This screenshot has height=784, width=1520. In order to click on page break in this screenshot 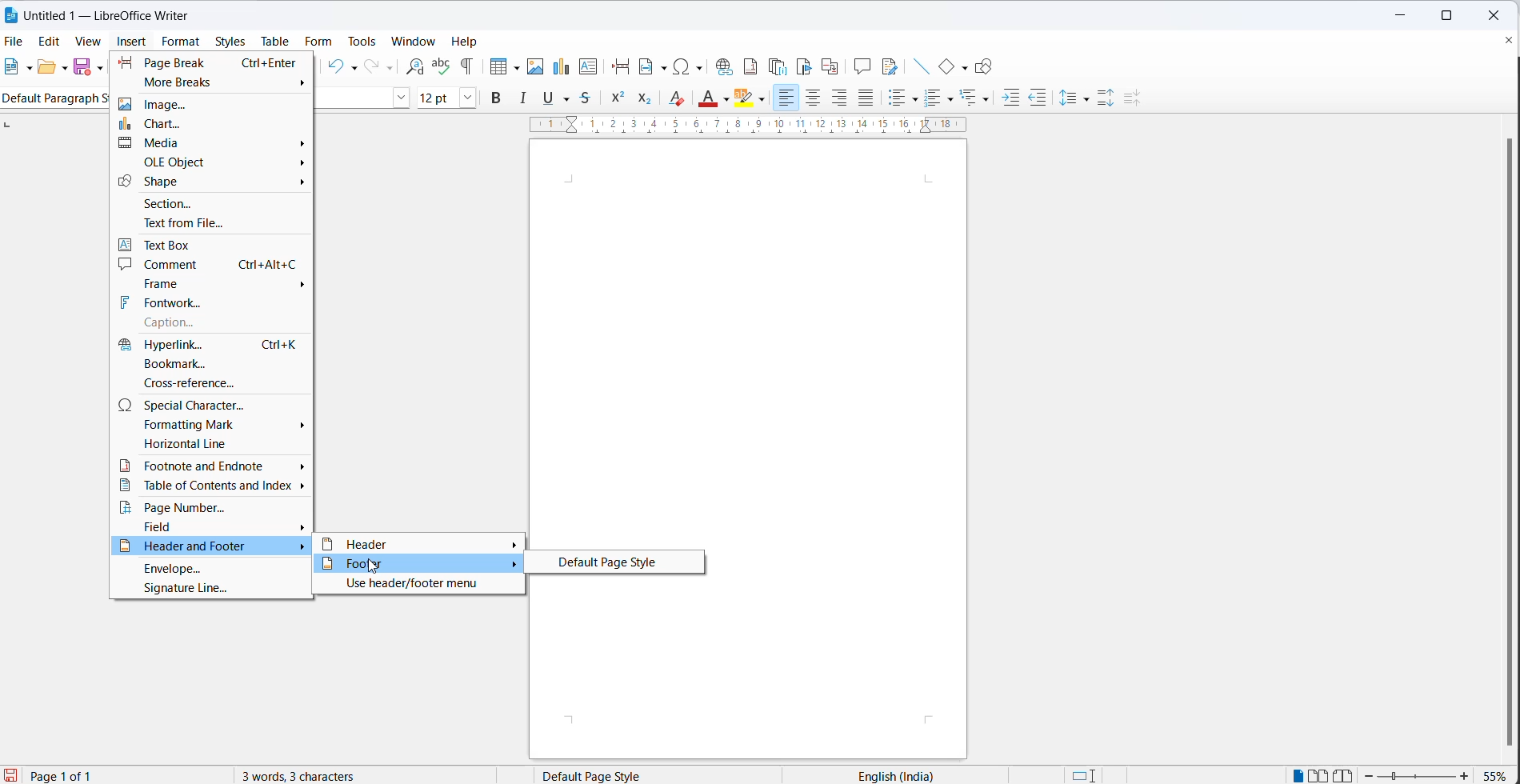, I will do `click(210, 63)`.